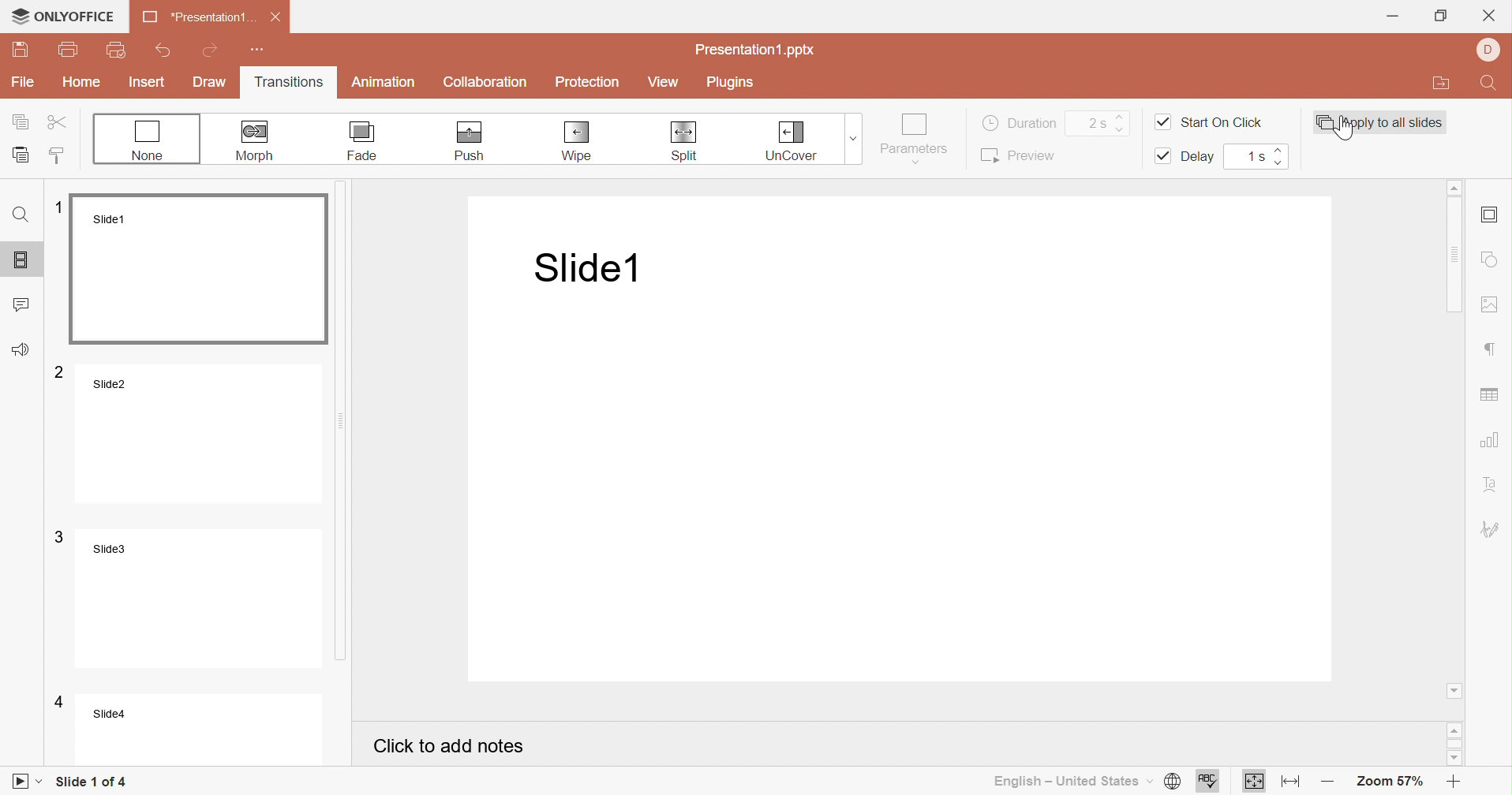 The width and height of the screenshot is (1512, 795). Describe the element at coordinates (186, 596) in the screenshot. I see `Slide3` at that location.